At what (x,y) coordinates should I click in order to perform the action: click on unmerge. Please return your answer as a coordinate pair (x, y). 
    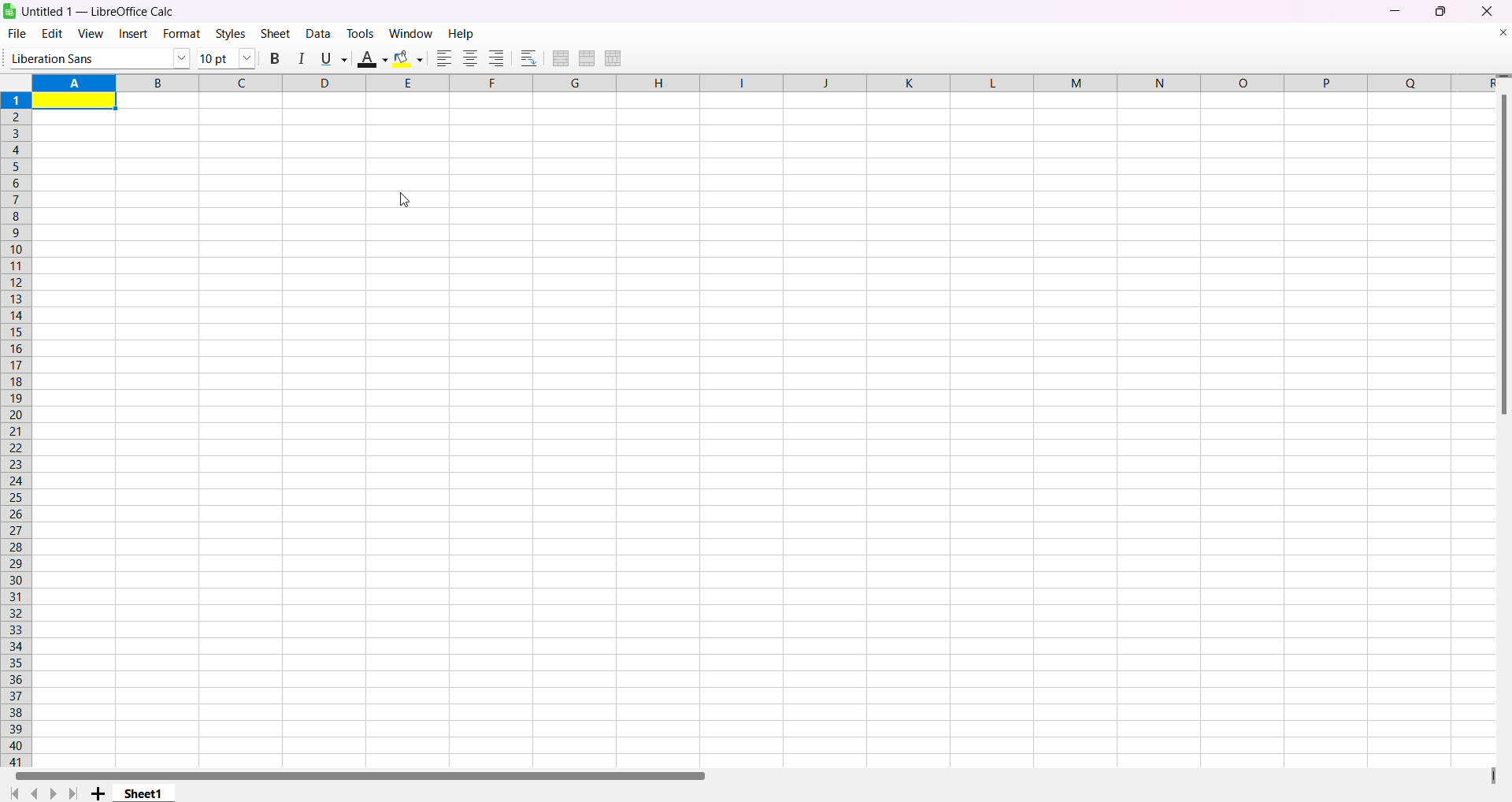
    Looking at the image, I should click on (616, 58).